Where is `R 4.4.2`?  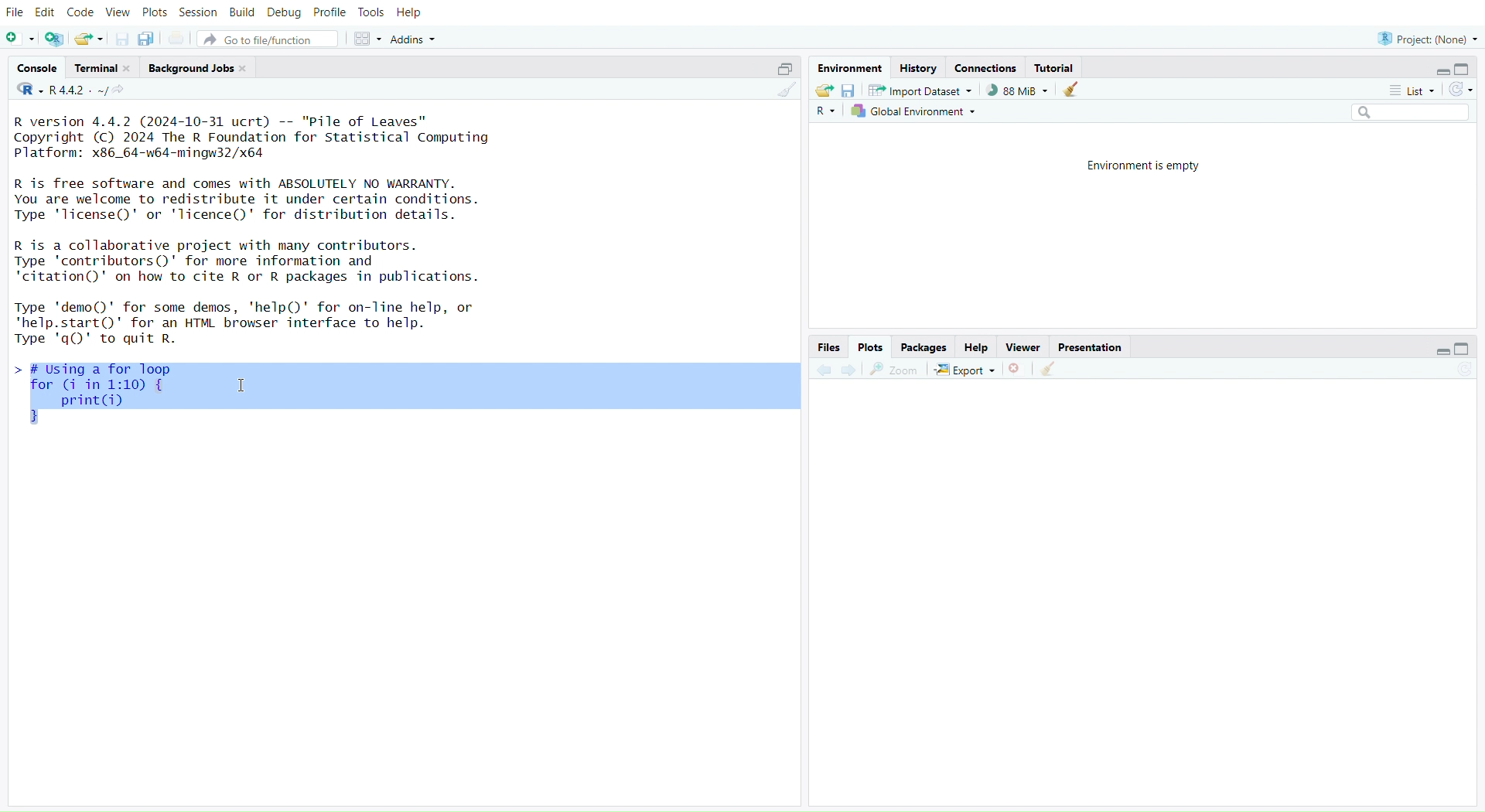 R 4.4.2 is located at coordinates (63, 90).